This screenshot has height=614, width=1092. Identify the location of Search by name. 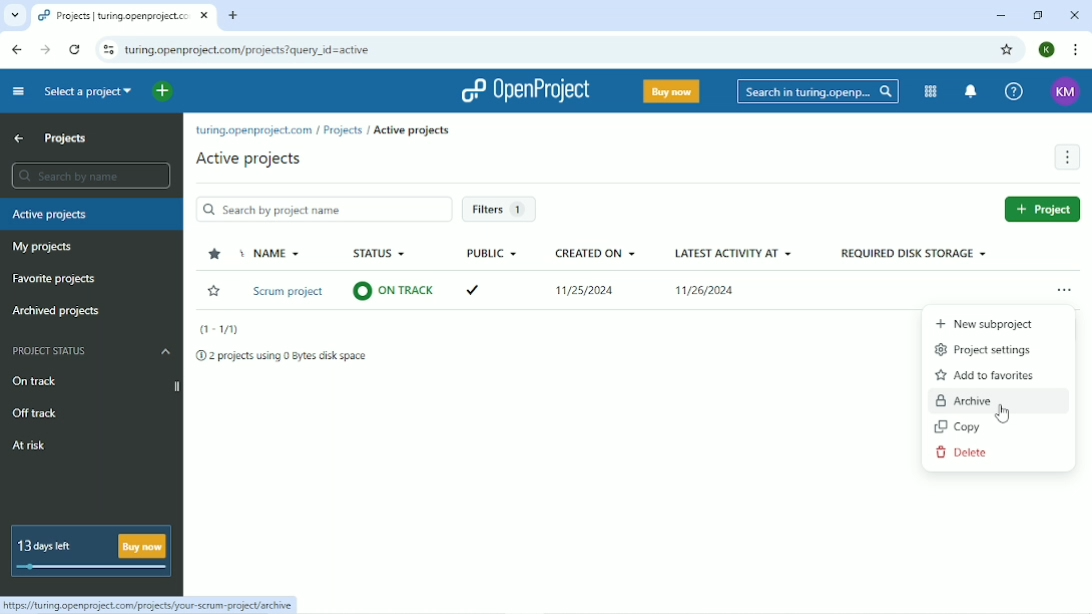
(91, 175).